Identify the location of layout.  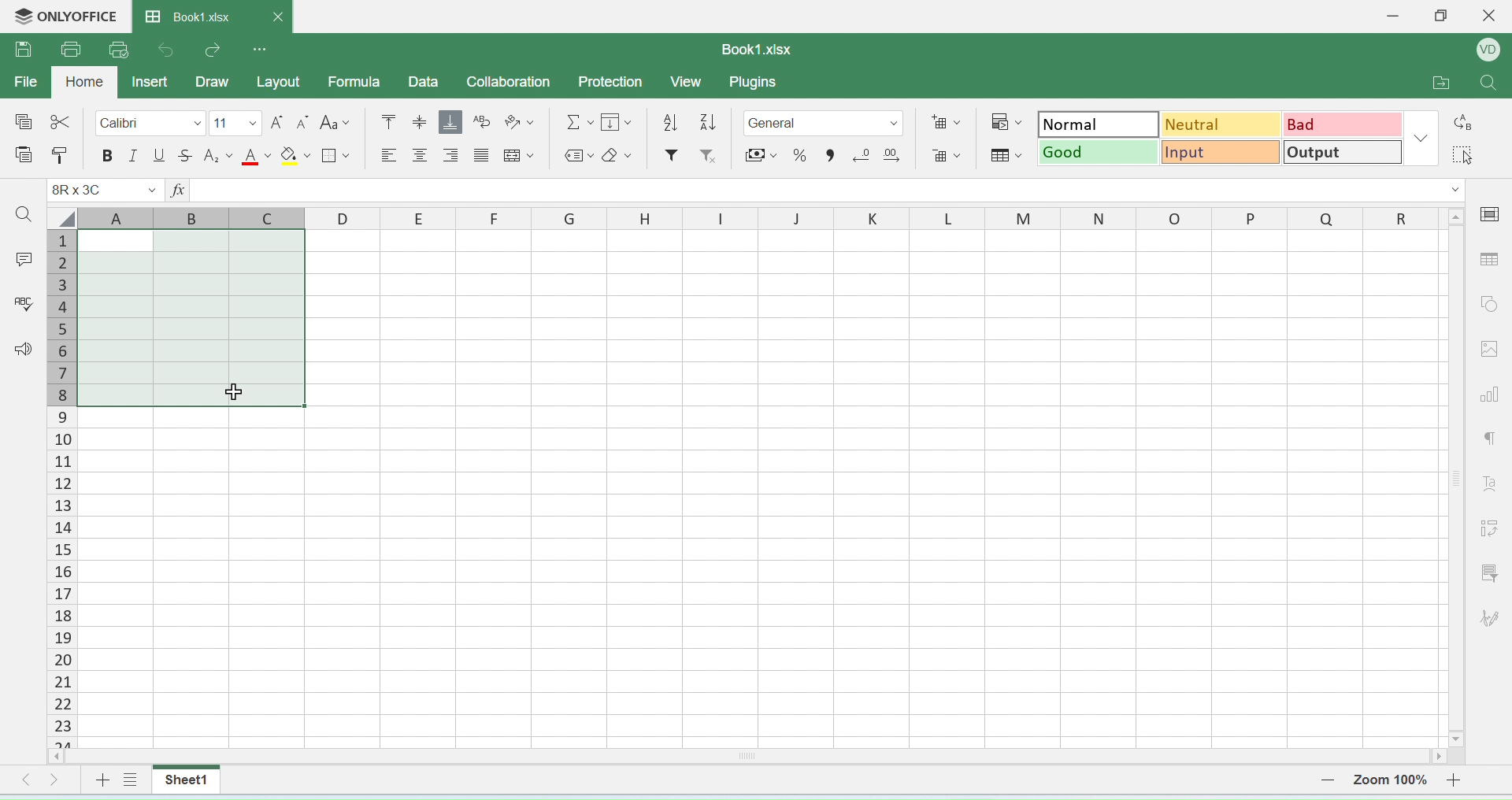
(277, 81).